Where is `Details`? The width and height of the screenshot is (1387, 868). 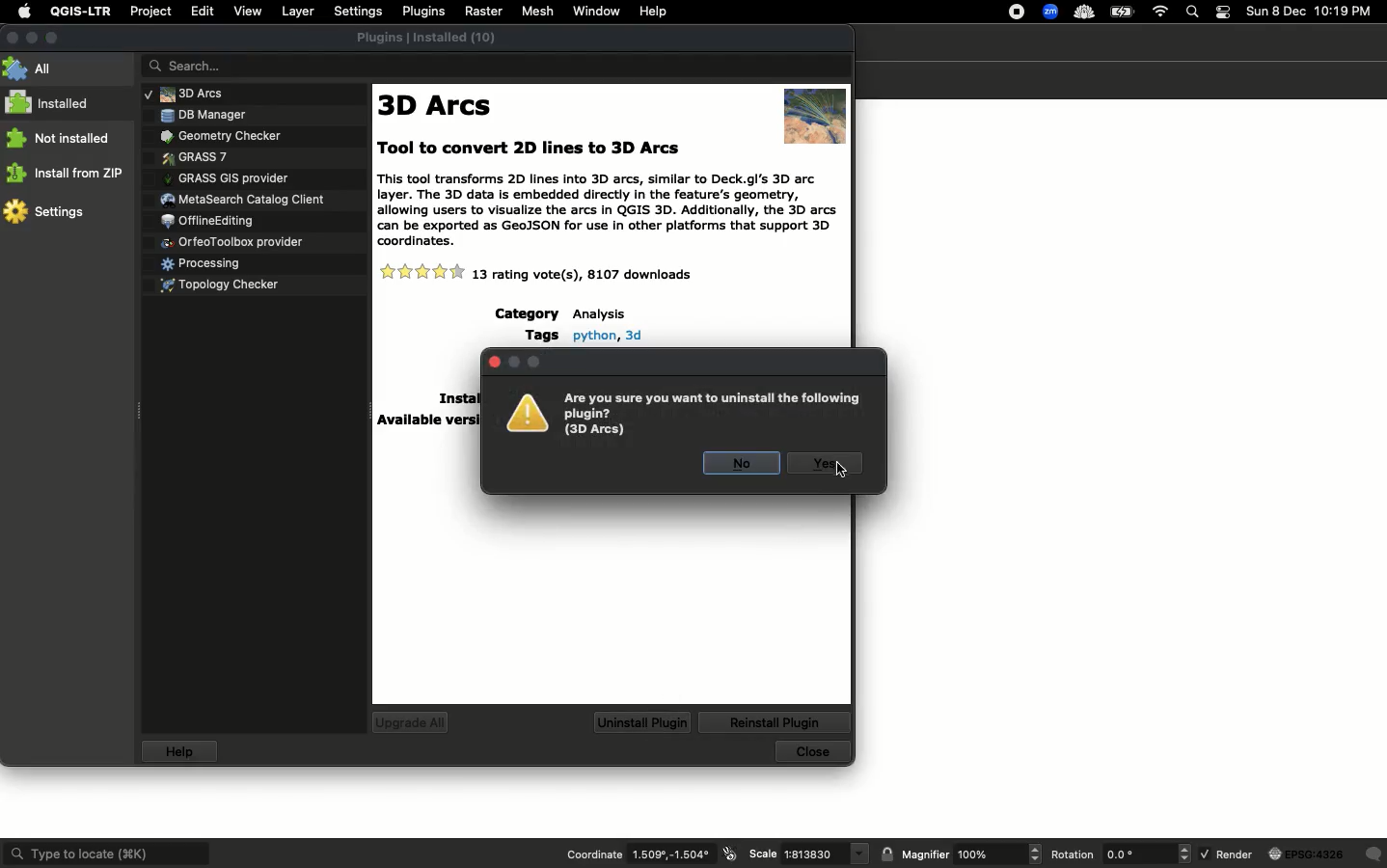
Details is located at coordinates (456, 399).